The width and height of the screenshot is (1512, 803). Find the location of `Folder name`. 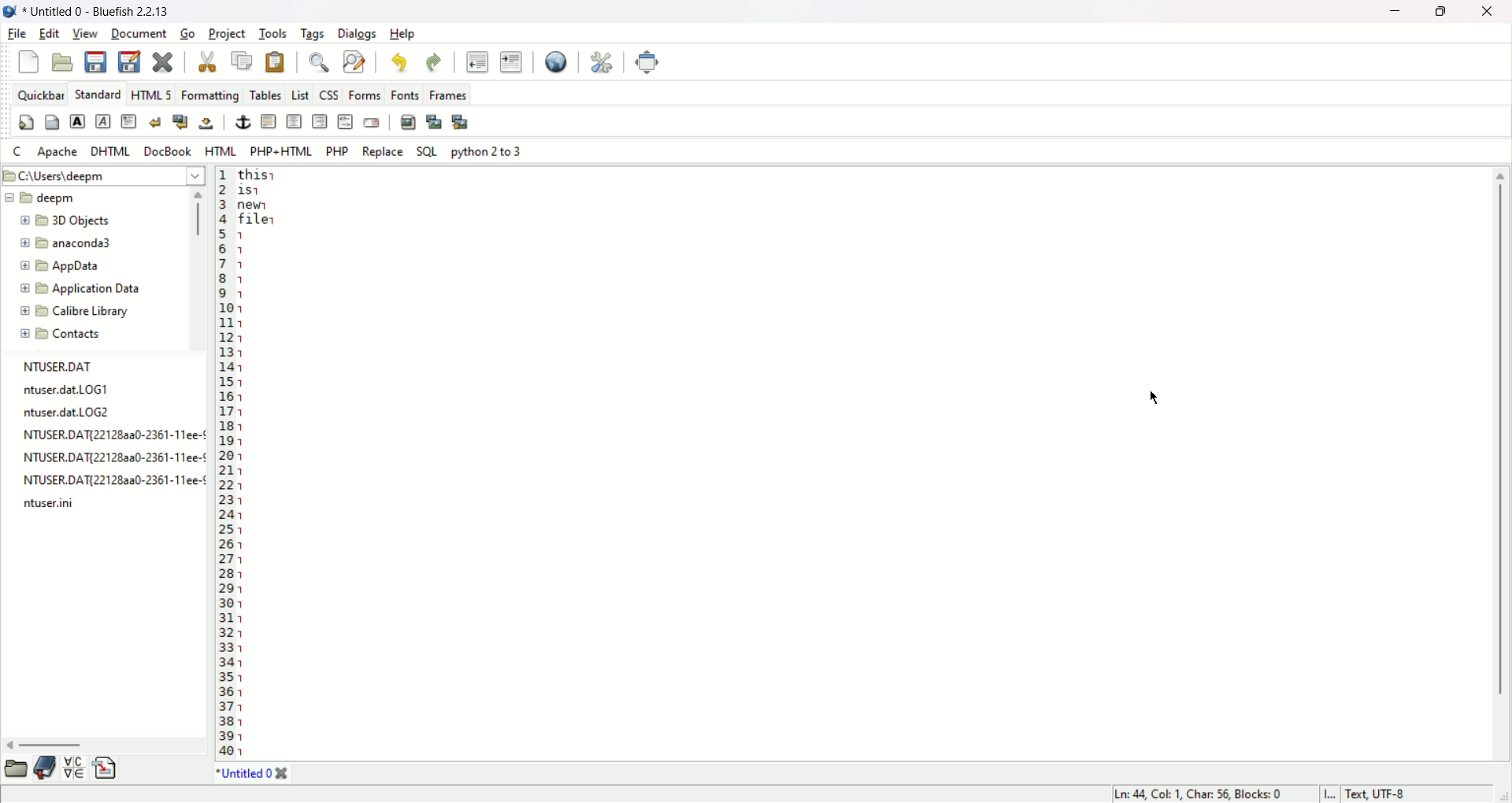

Folder name is located at coordinates (79, 312).